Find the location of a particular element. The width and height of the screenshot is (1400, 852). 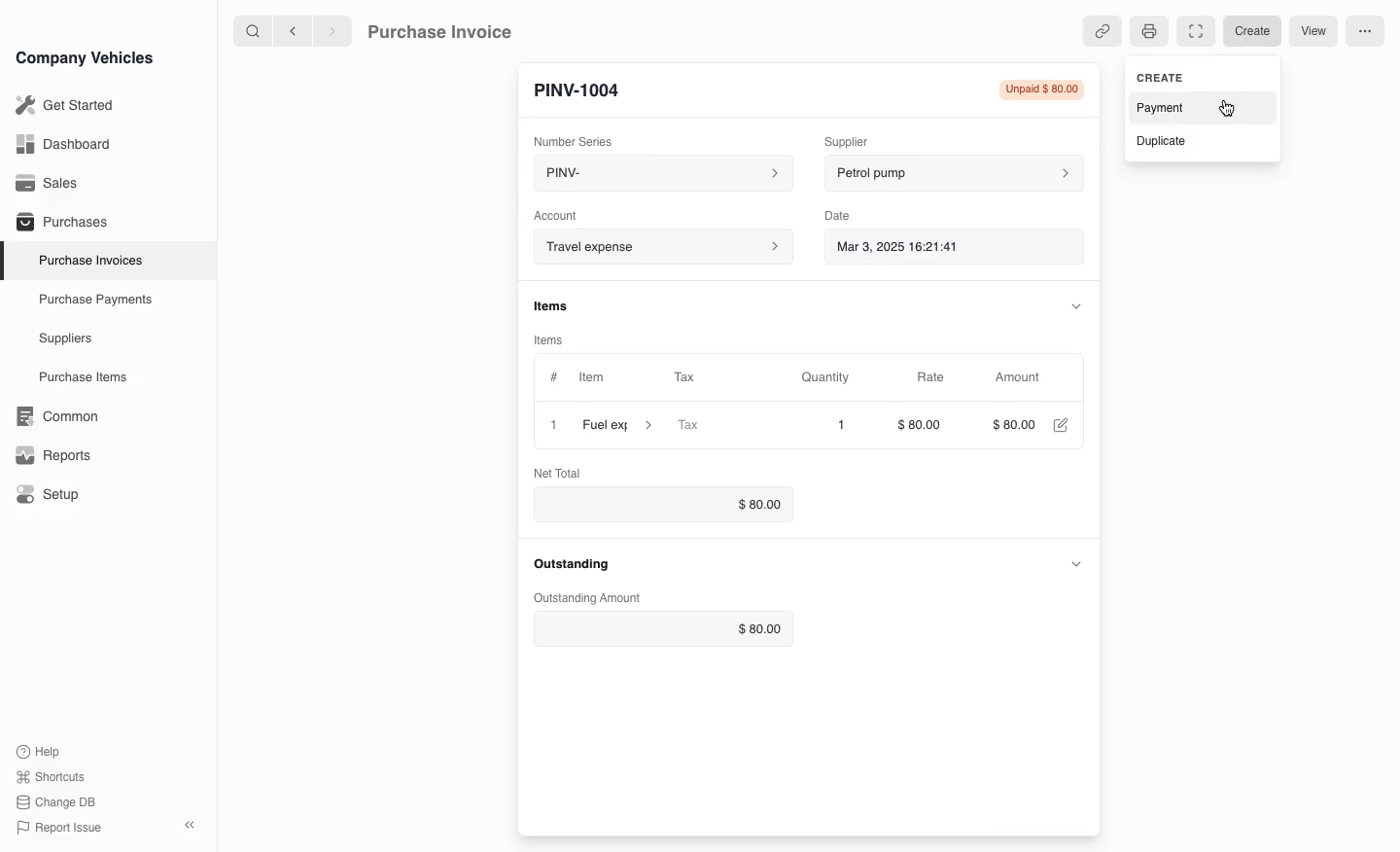

Help is located at coordinates (43, 751).